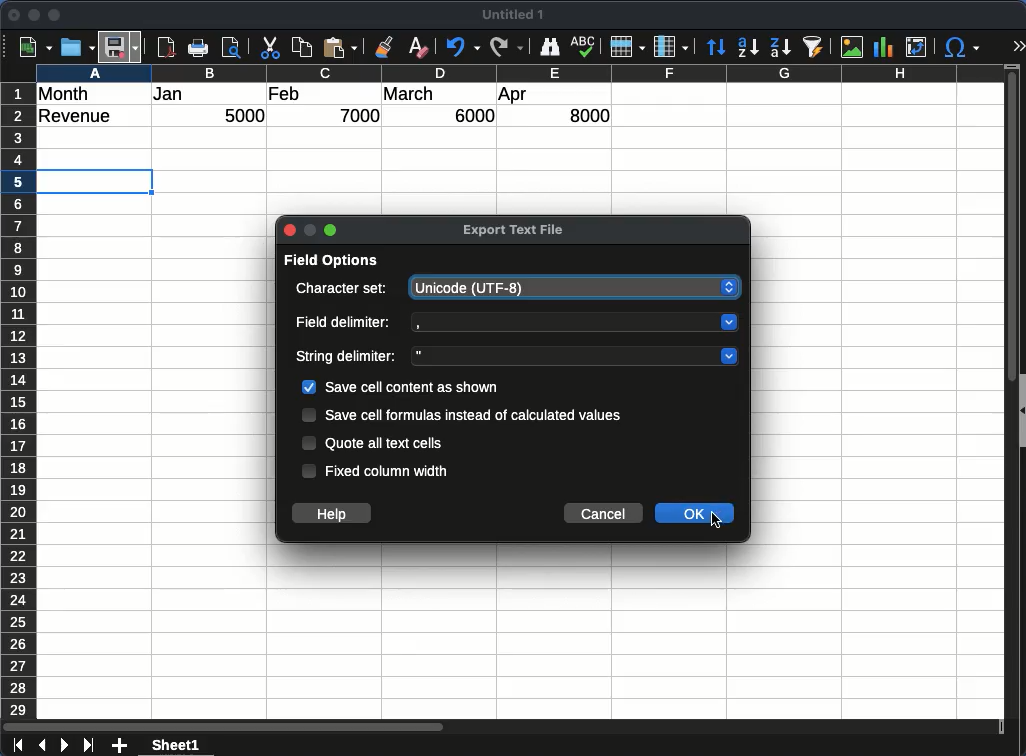 This screenshot has height=756, width=1026. I want to click on save cell content as shown, so click(417, 387).